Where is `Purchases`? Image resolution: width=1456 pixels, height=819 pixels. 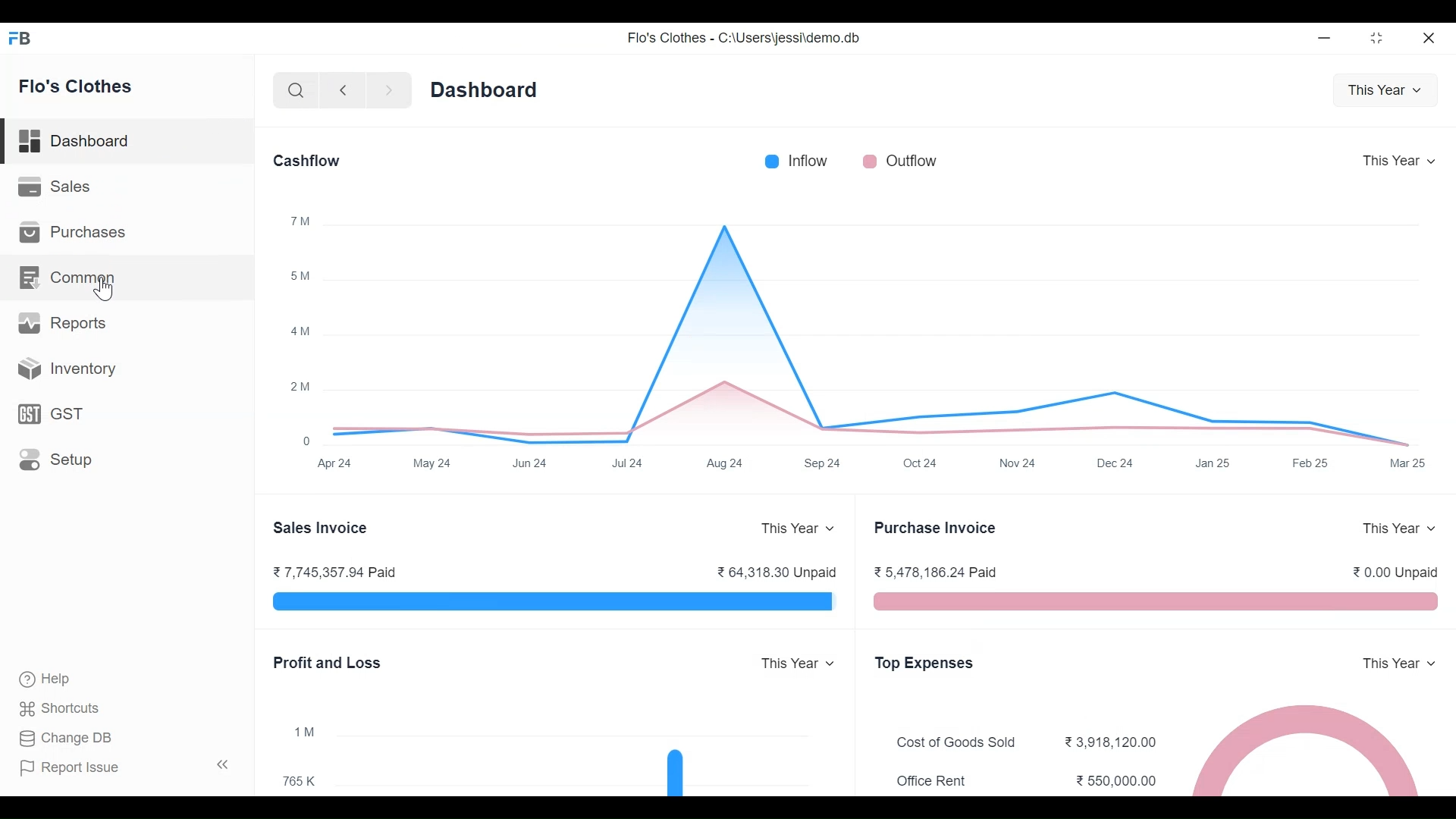 Purchases is located at coordinates (73, 231).